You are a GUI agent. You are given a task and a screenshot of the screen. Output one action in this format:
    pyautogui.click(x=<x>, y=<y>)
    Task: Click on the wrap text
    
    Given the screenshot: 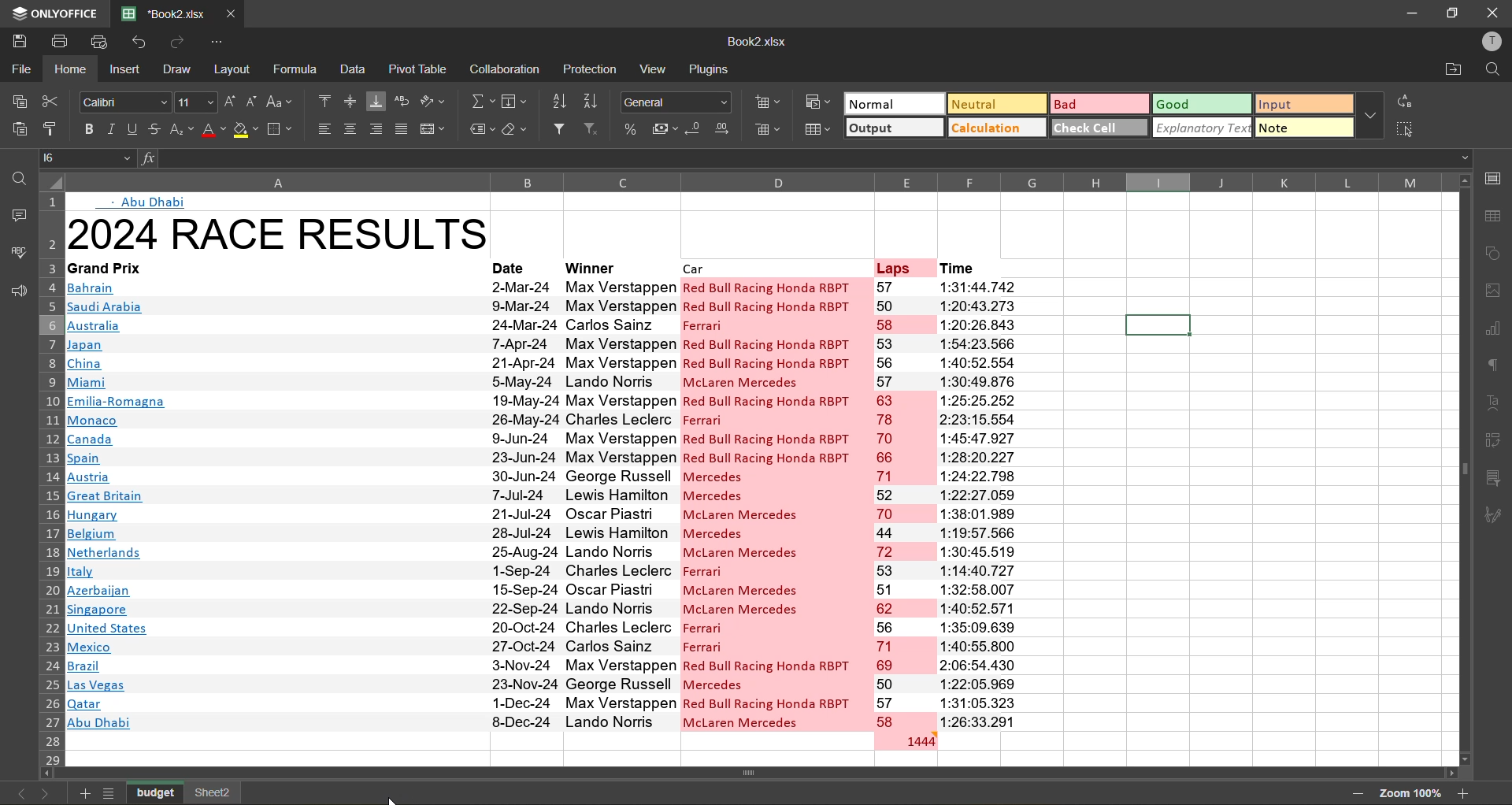 What is the action you would take?
    pyautogui.click(x=403, y=102)
    